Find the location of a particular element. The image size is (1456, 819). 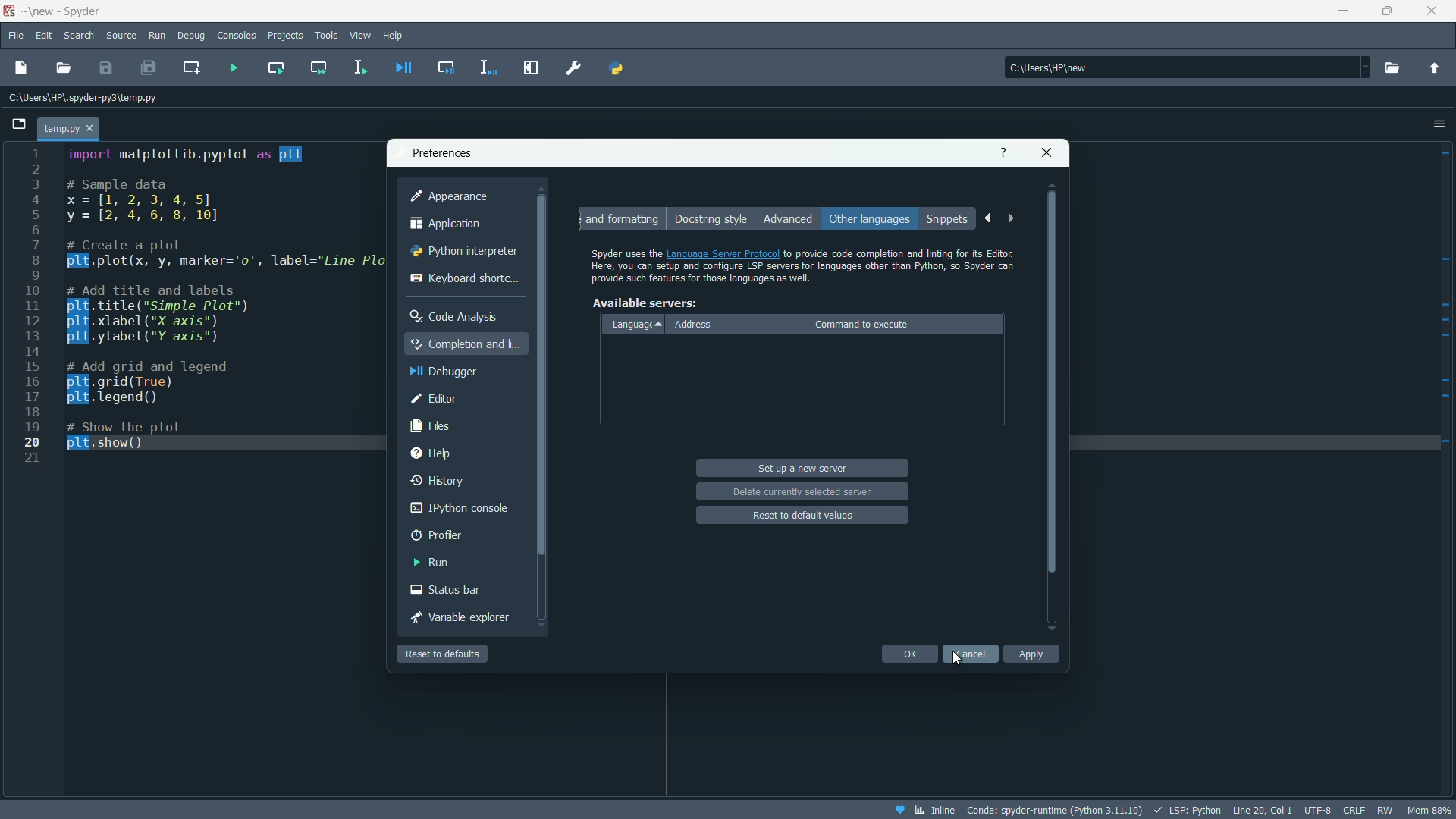

file eol status is located at coordinates (1352, 811).